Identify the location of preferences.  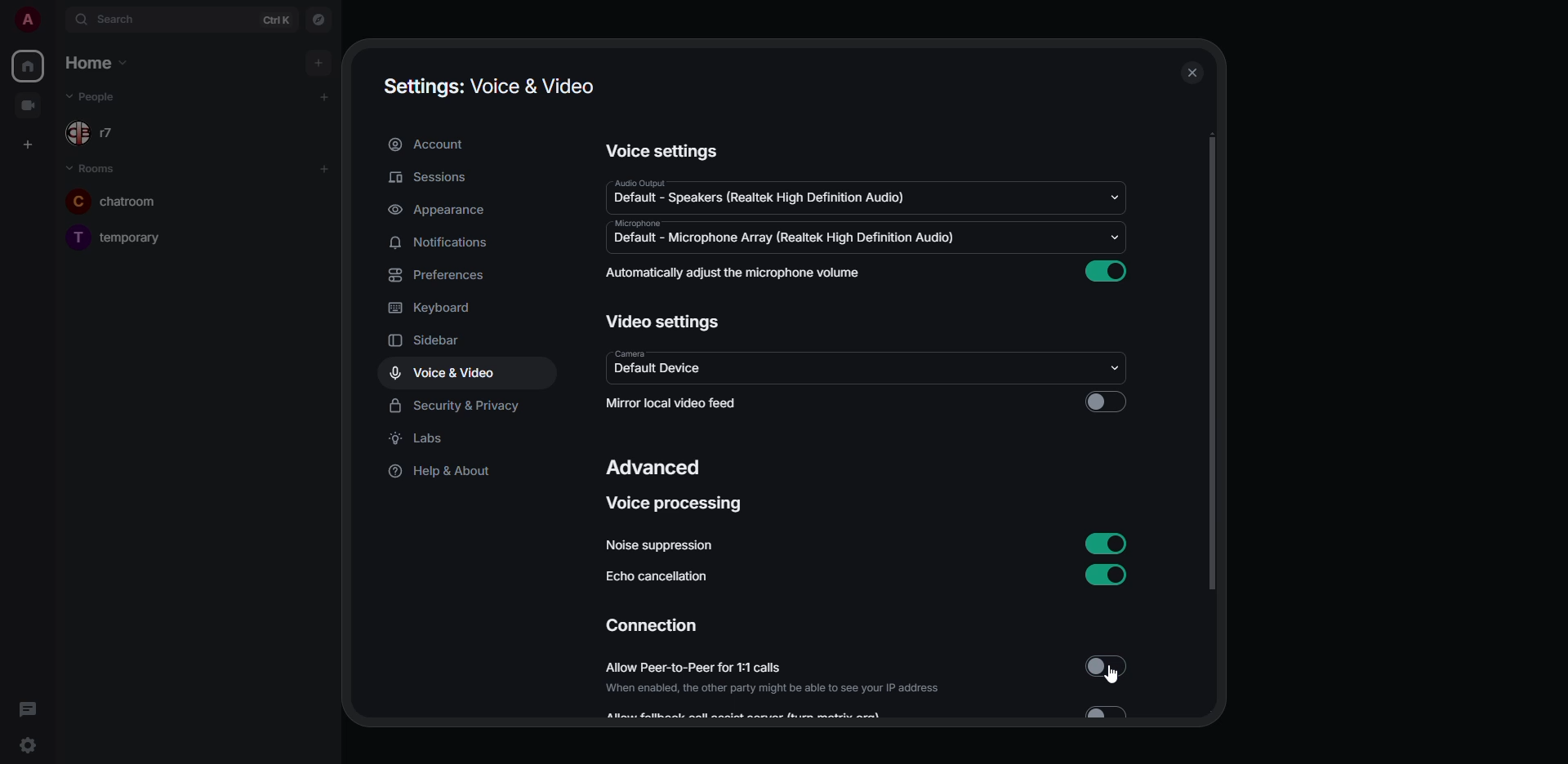
(442, 274).